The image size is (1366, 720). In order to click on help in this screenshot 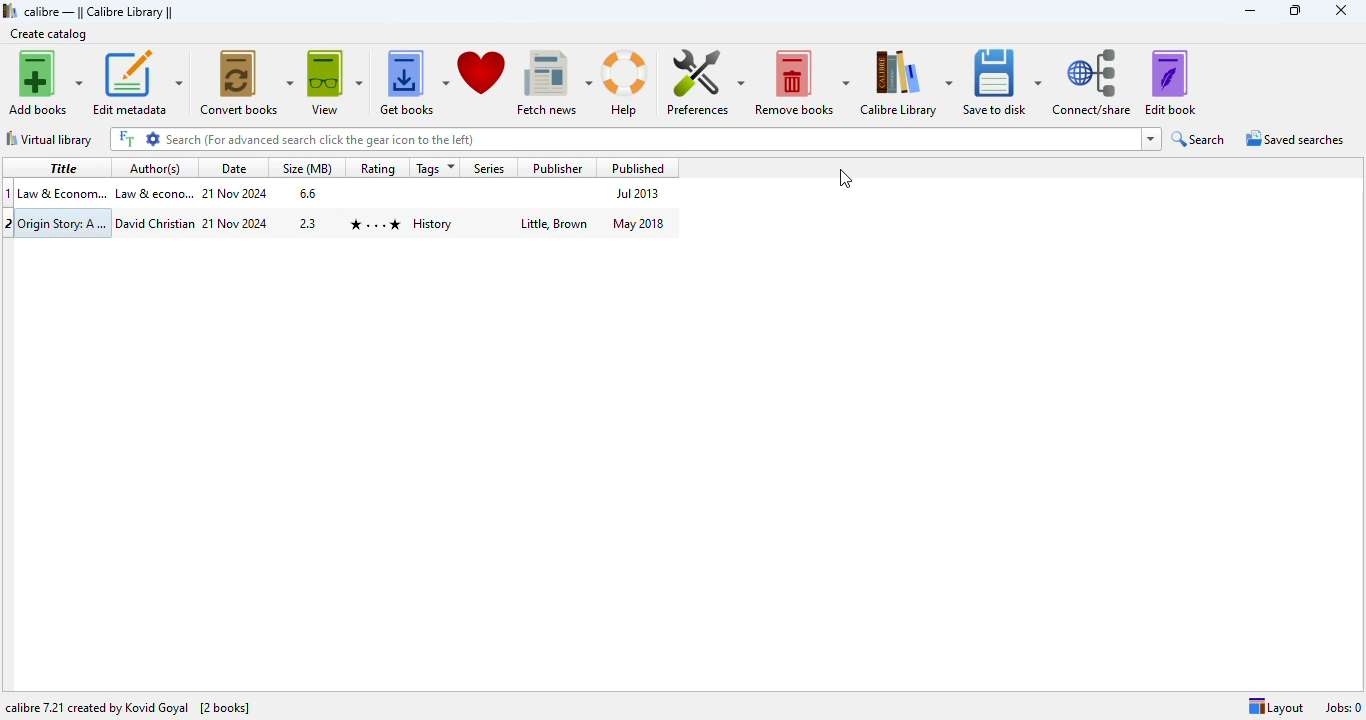, I will do `click(628, 81)`.